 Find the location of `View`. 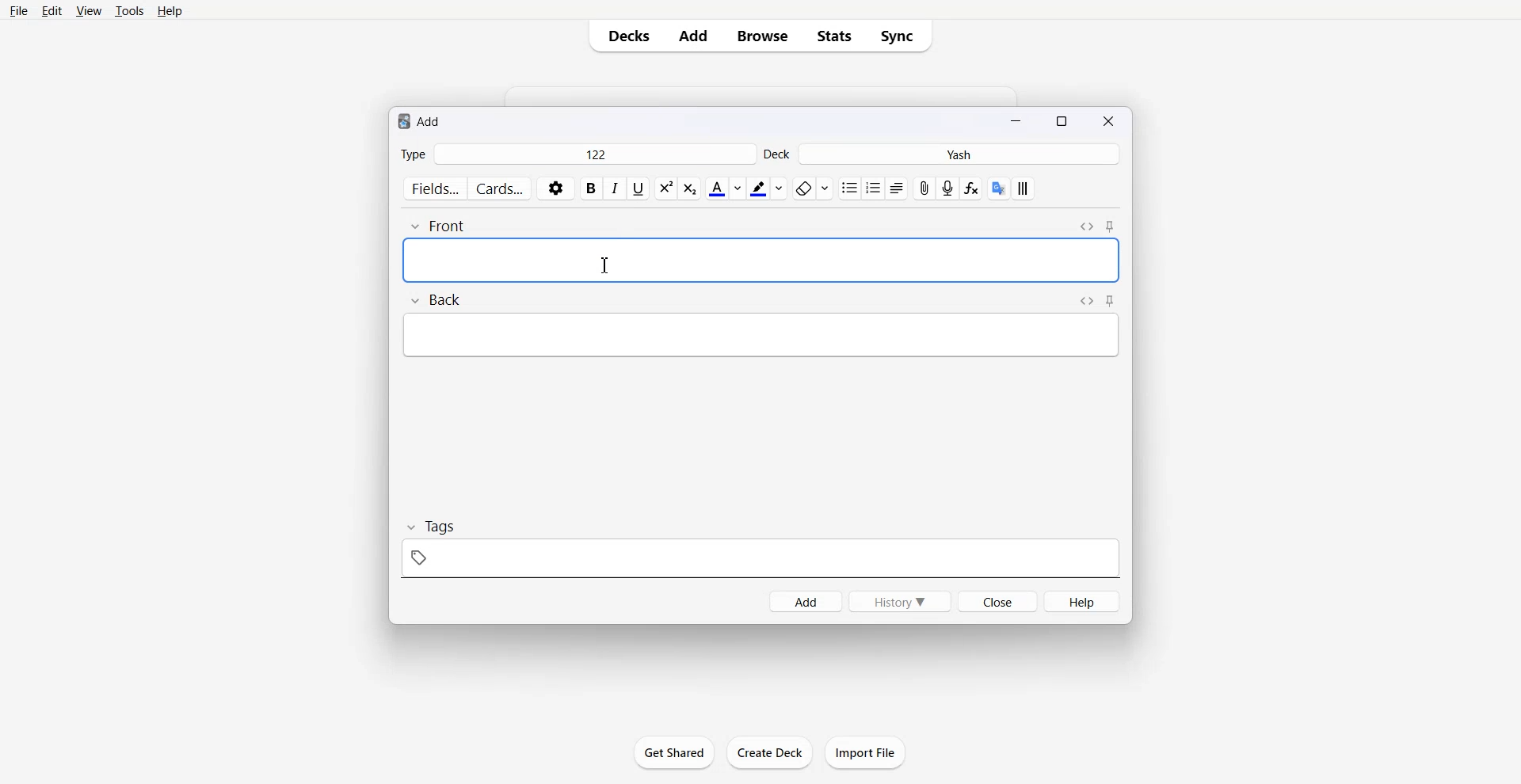

View is located at coordinates (87, 10).